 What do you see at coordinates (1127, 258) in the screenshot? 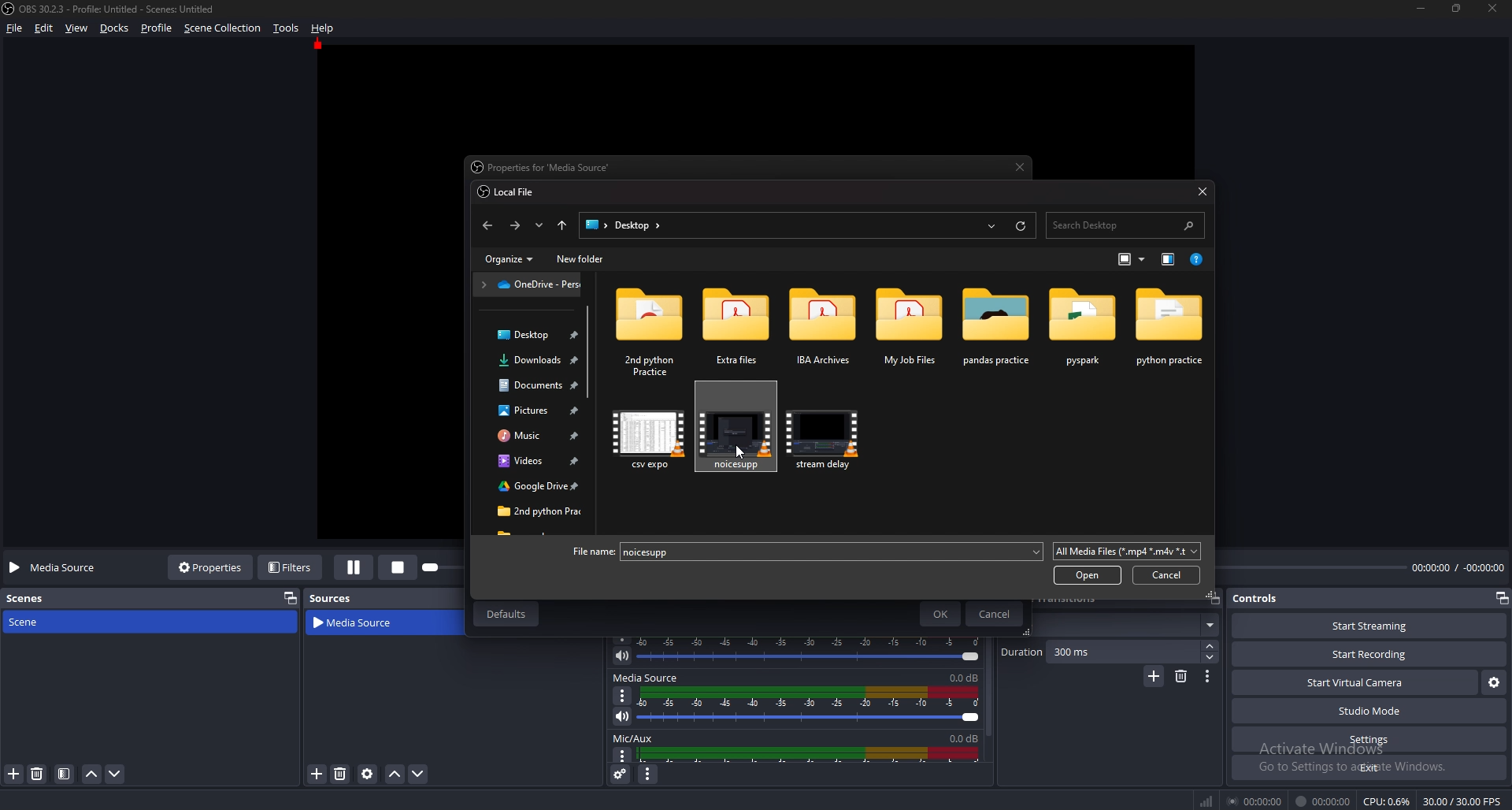
I see `Change view` at bounding box center [1127, 258].